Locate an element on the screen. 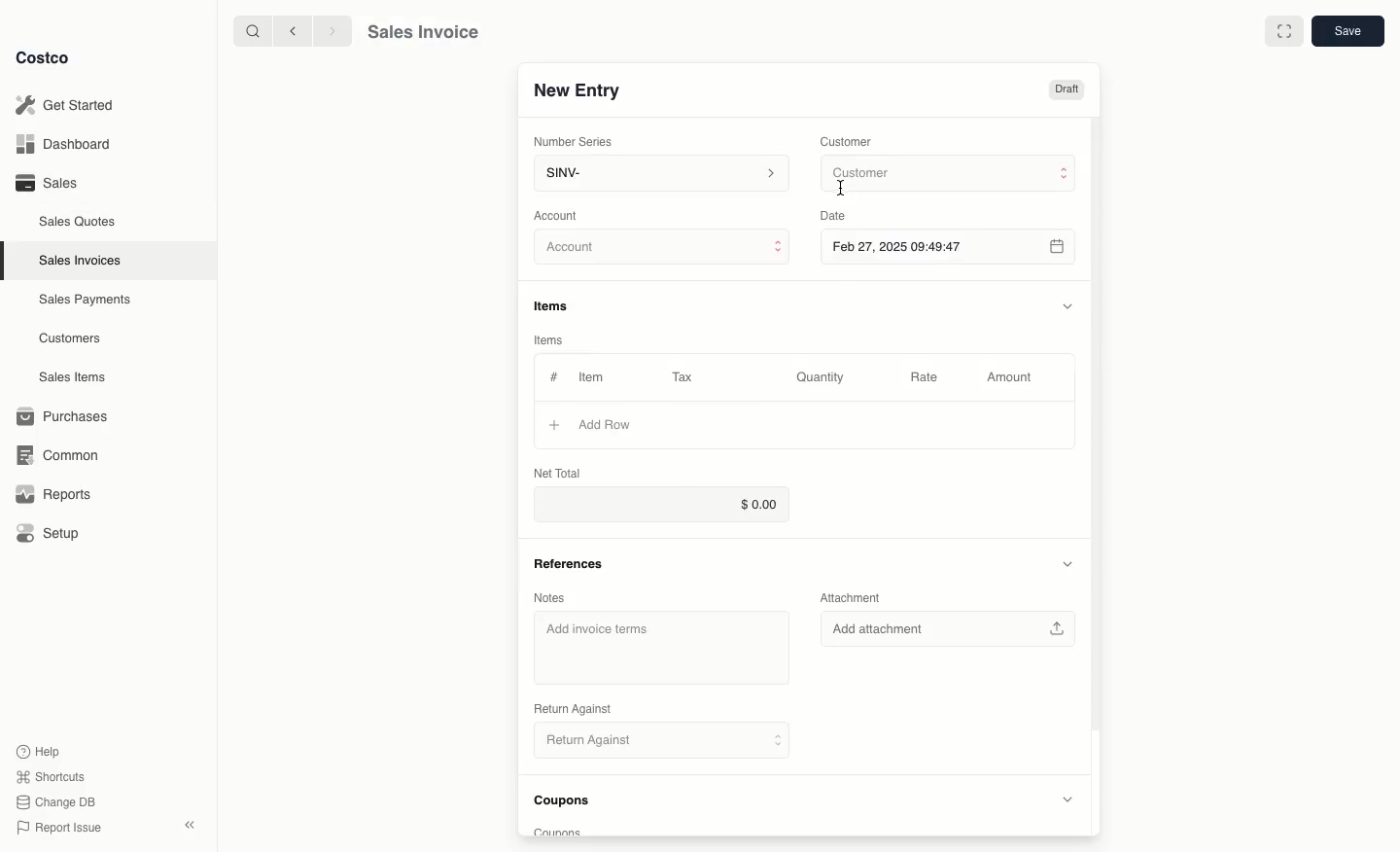 The image size is (1400, 852). Attachment is located at coordinates (857, 598).